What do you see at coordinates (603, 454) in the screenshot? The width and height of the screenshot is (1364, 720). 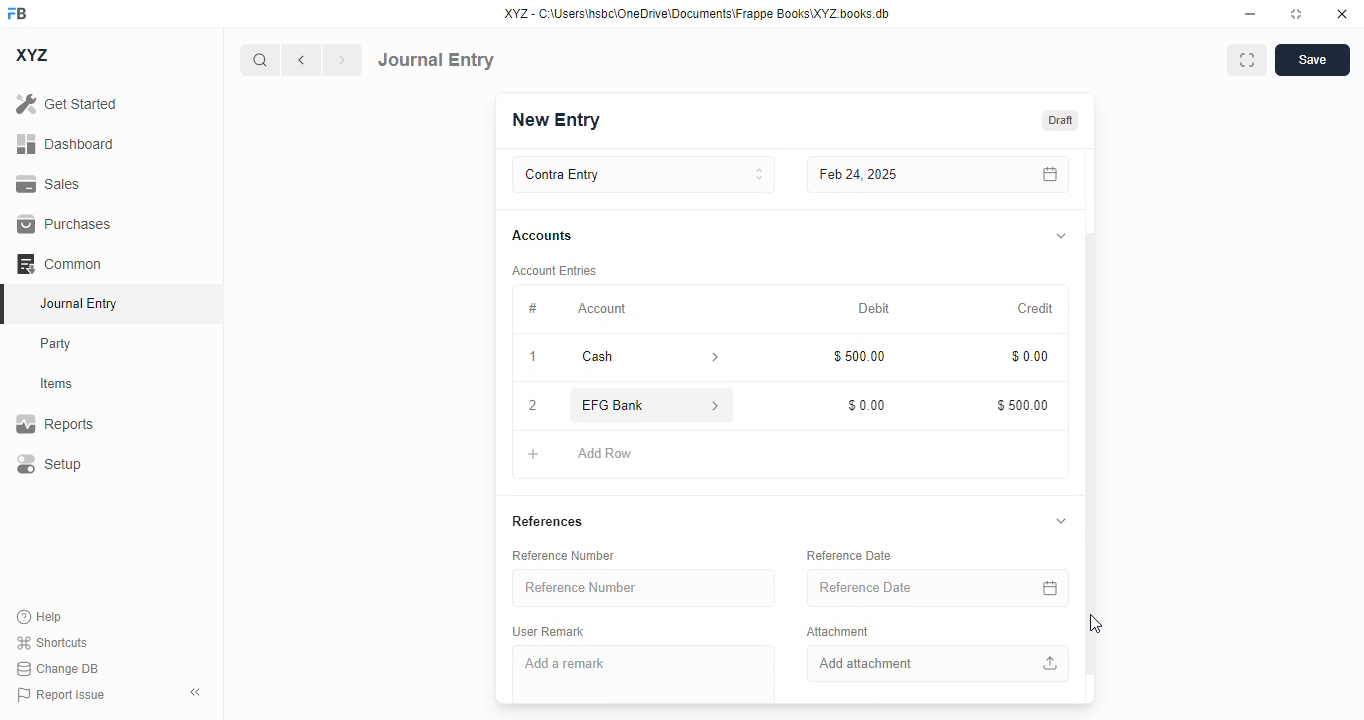 I see `add row` at bounding box center [603, 454].